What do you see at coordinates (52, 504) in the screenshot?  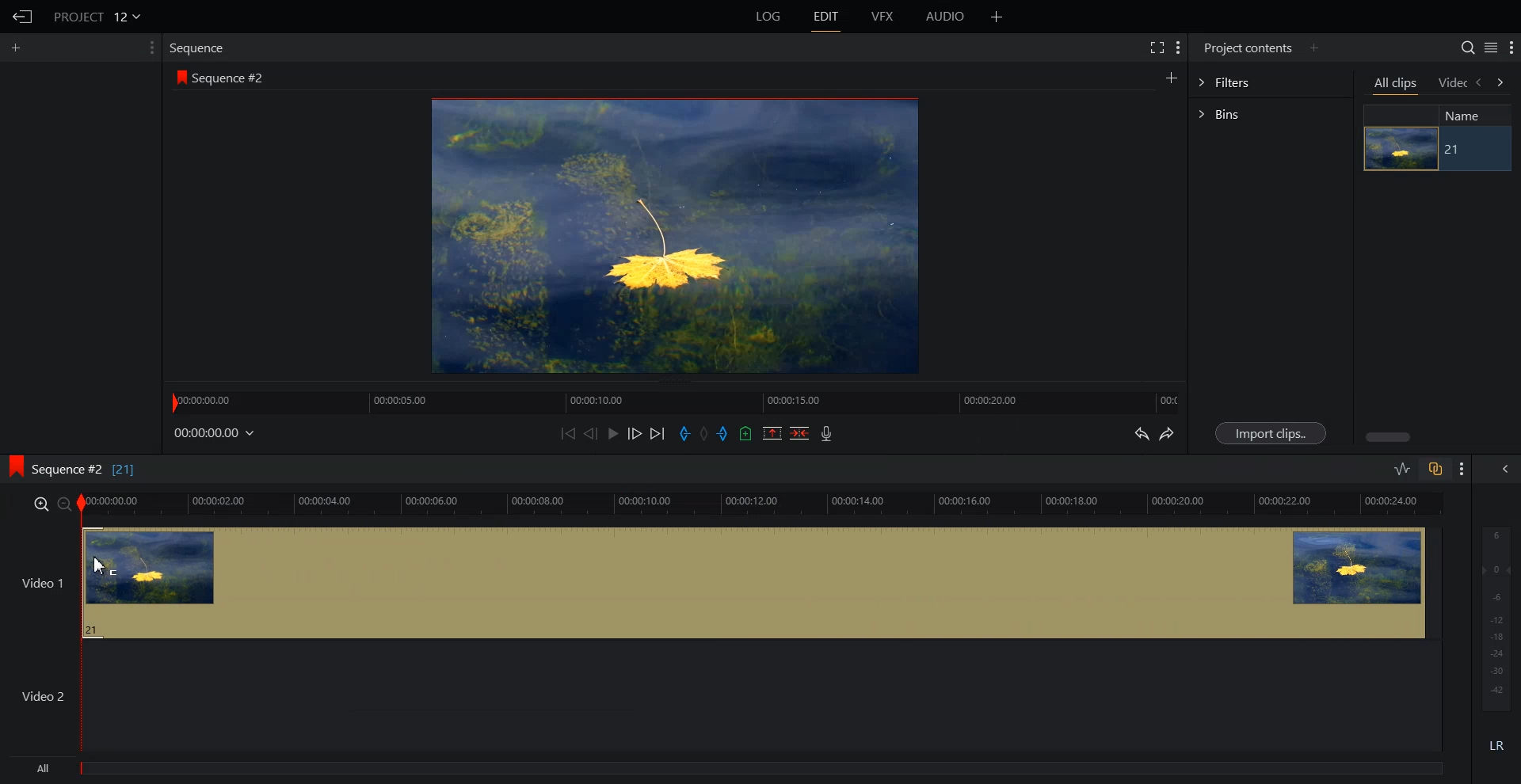 I see `Zoom In and Out` at bounding box center [52, 504].